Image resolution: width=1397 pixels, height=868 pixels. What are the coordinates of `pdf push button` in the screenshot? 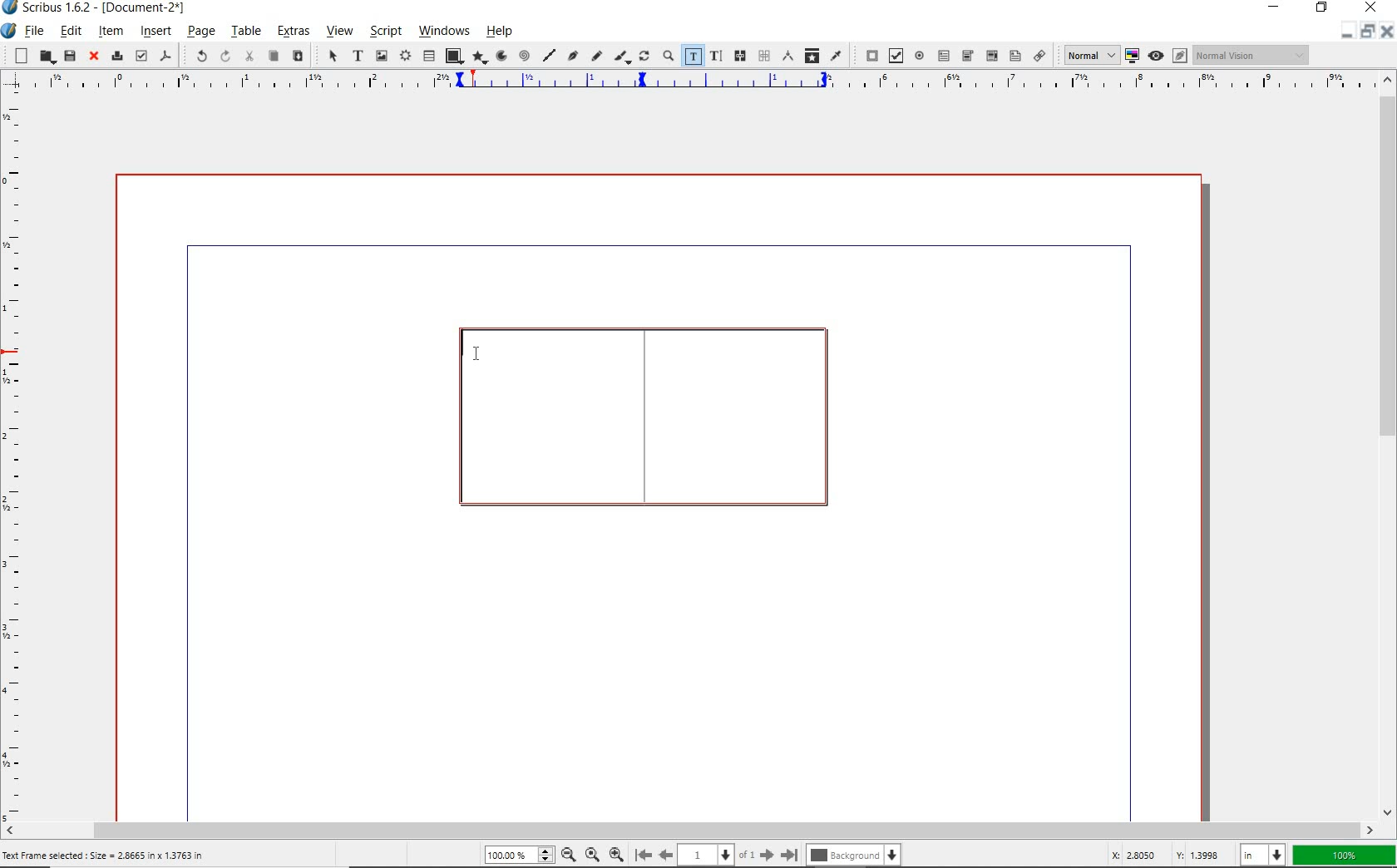 It's located at (866, 55).